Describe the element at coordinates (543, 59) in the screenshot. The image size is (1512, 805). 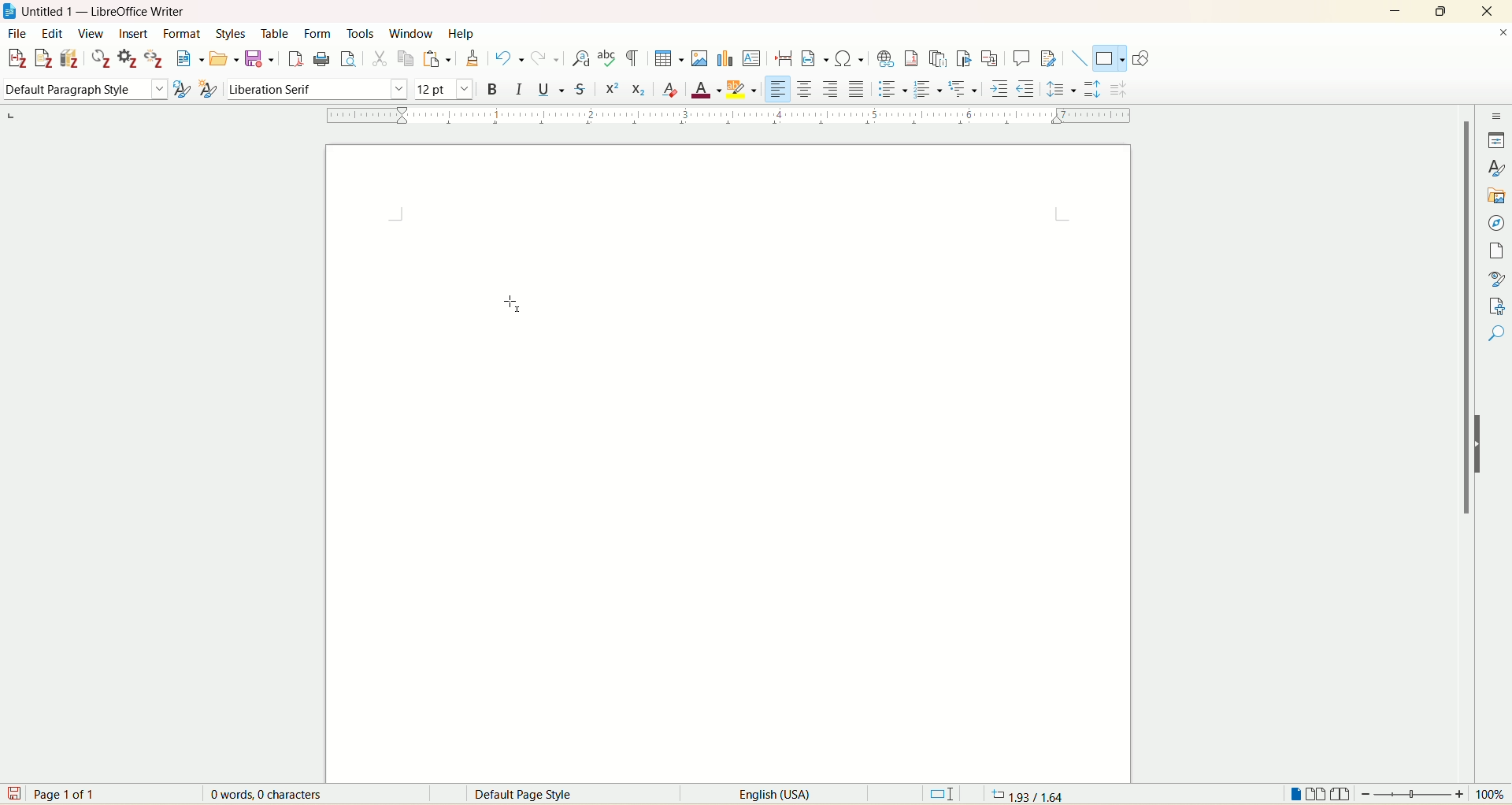
I see `redo` at that location.